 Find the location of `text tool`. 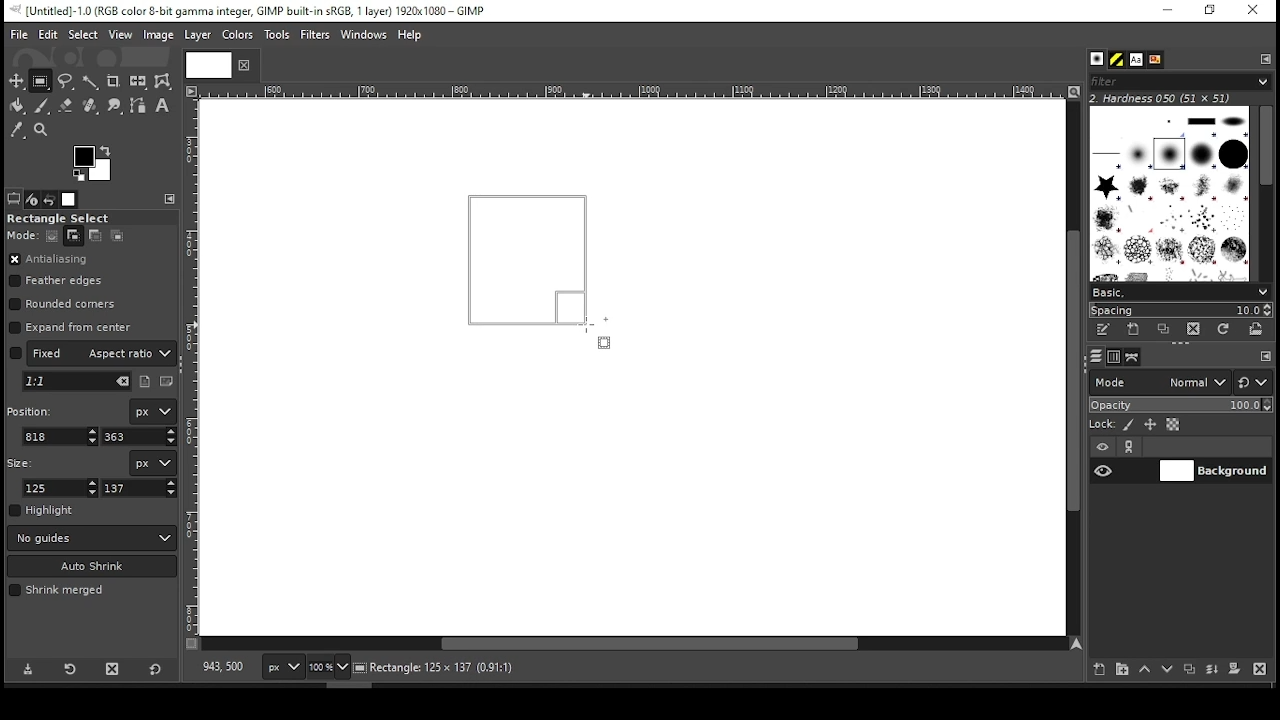

text tool is located at coordinates (162, 107).